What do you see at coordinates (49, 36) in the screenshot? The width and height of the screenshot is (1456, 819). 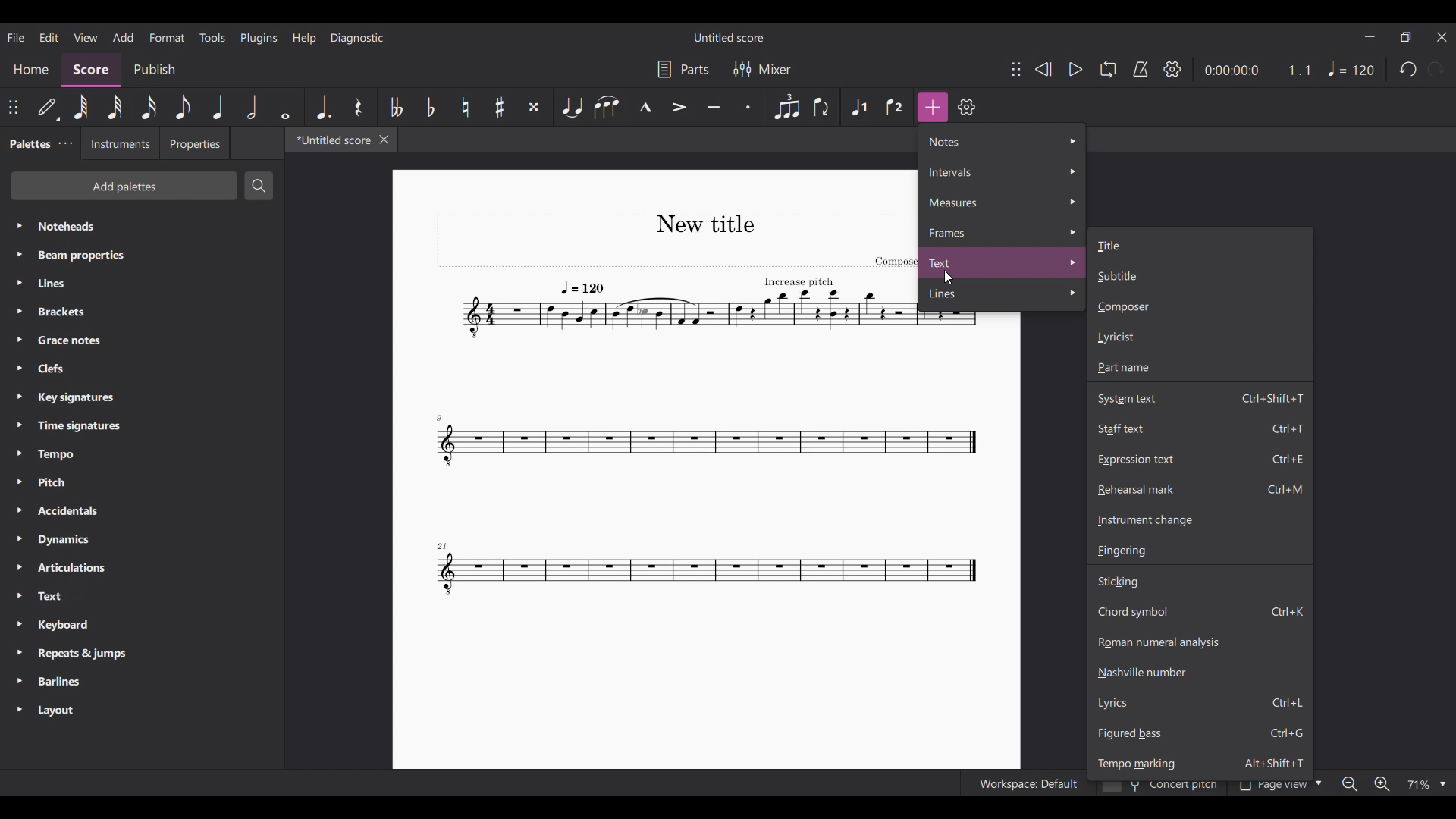 I see `Edit menu` at bounding box center [49, 36].